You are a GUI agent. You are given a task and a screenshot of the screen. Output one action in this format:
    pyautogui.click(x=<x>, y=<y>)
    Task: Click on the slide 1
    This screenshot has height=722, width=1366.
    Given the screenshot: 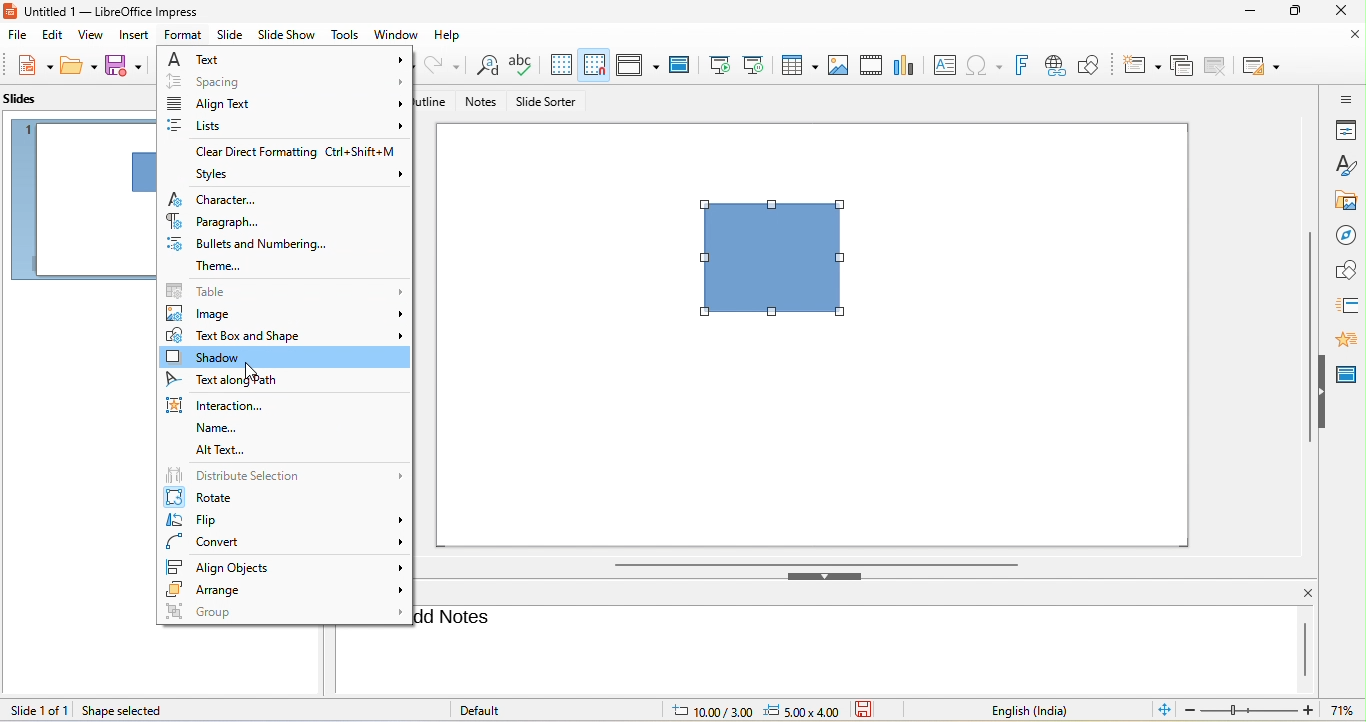 What is the action you would take?
    pyautogui.click(x=78, y=201)
    